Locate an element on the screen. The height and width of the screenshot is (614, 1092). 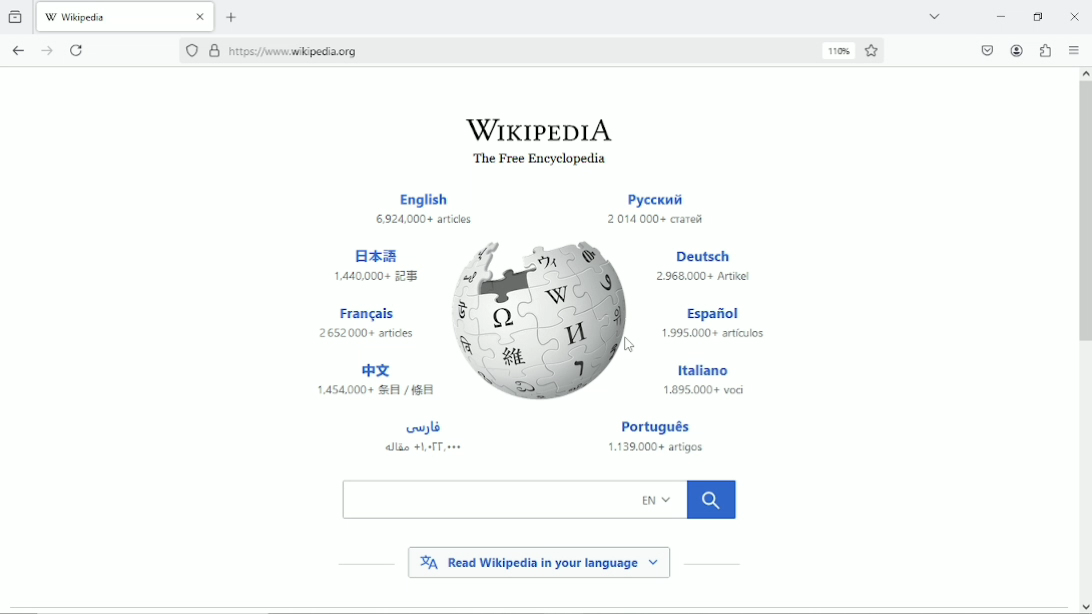
new tab is located at coordinates (232, 17).